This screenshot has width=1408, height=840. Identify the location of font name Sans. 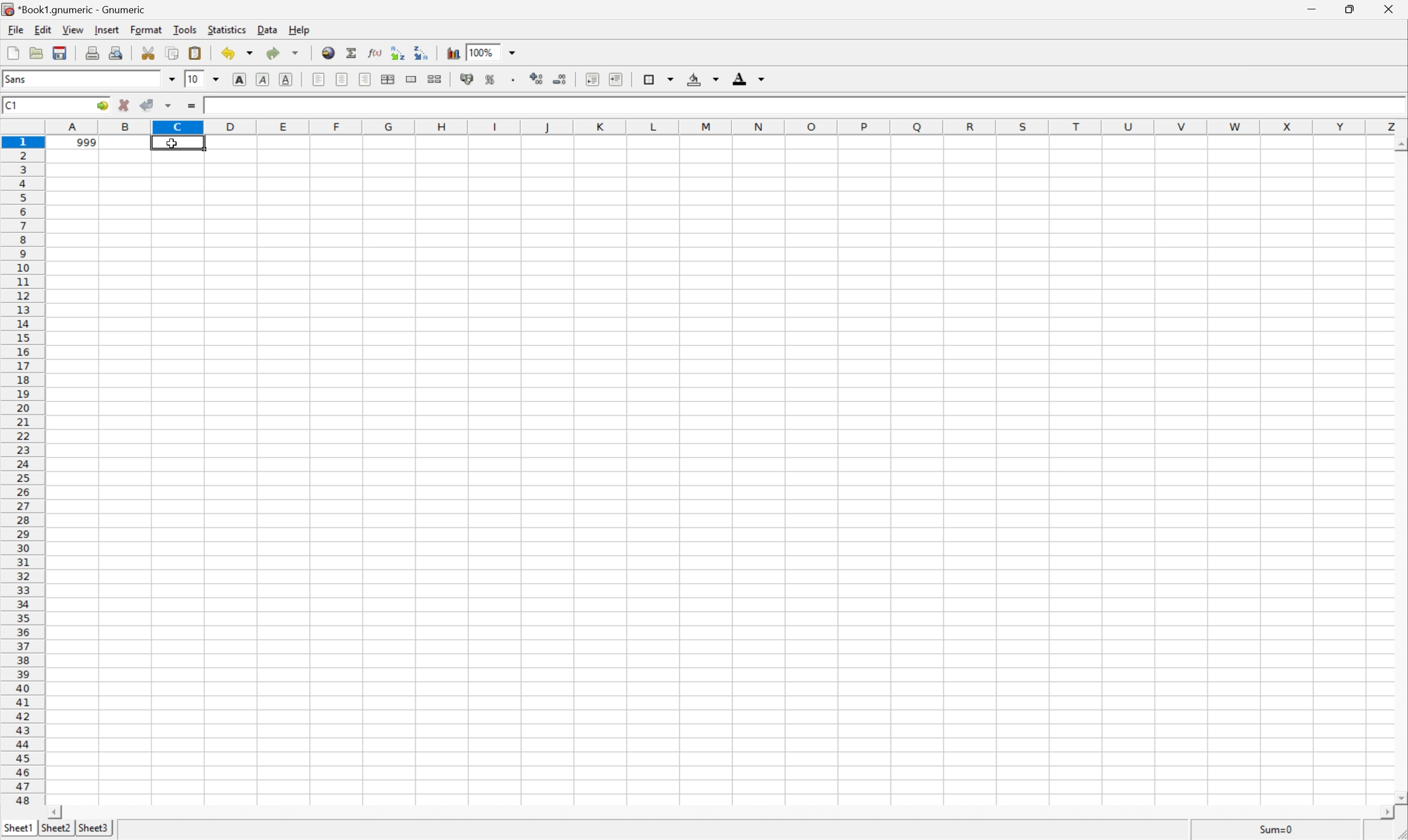
(92, 80).